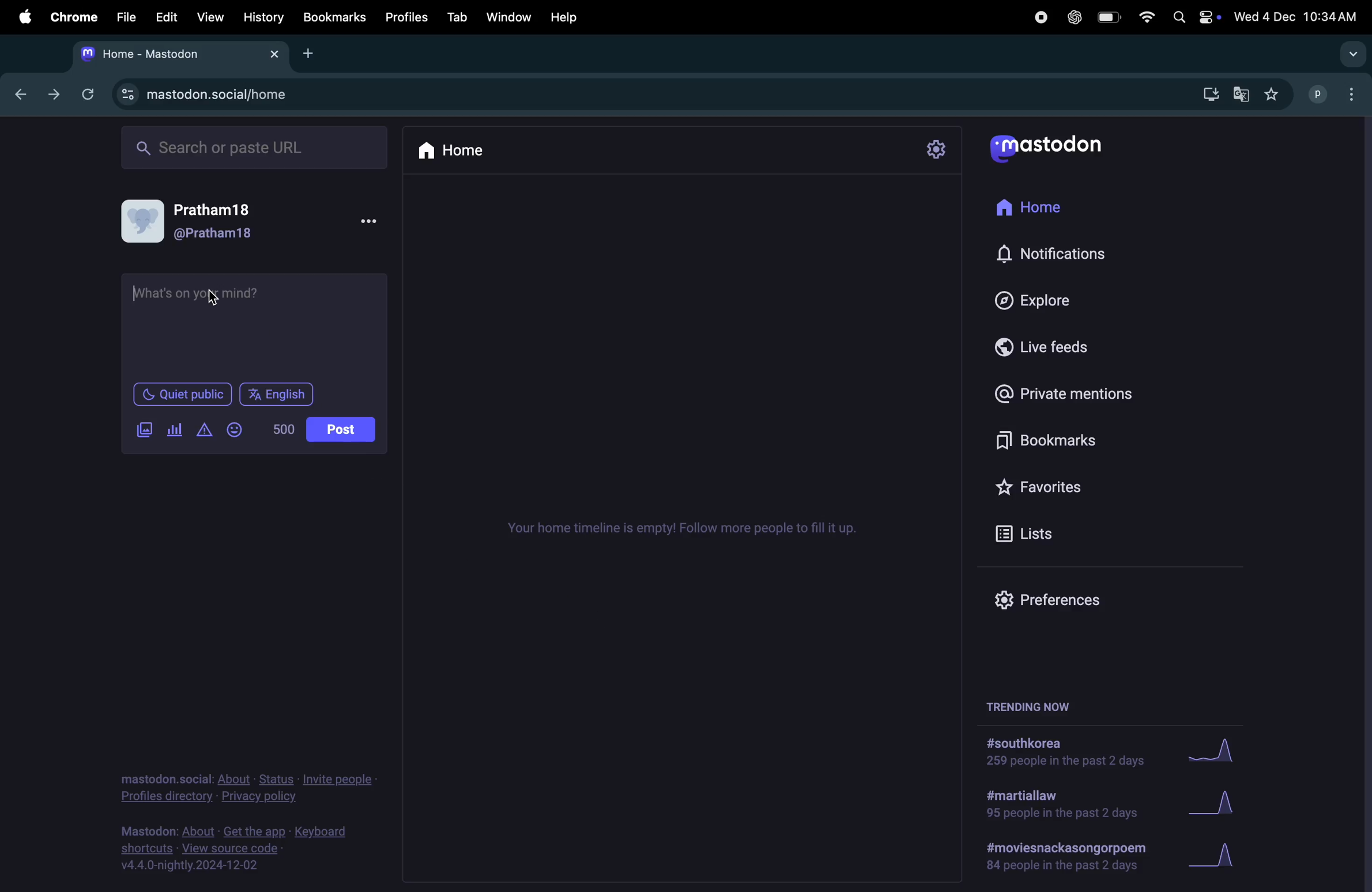 Image resolution: width=1372 pixels, height=892 pixels. Describe the element at coordinates (72, 17) in the screenshot. I see `Chrome` at that location.